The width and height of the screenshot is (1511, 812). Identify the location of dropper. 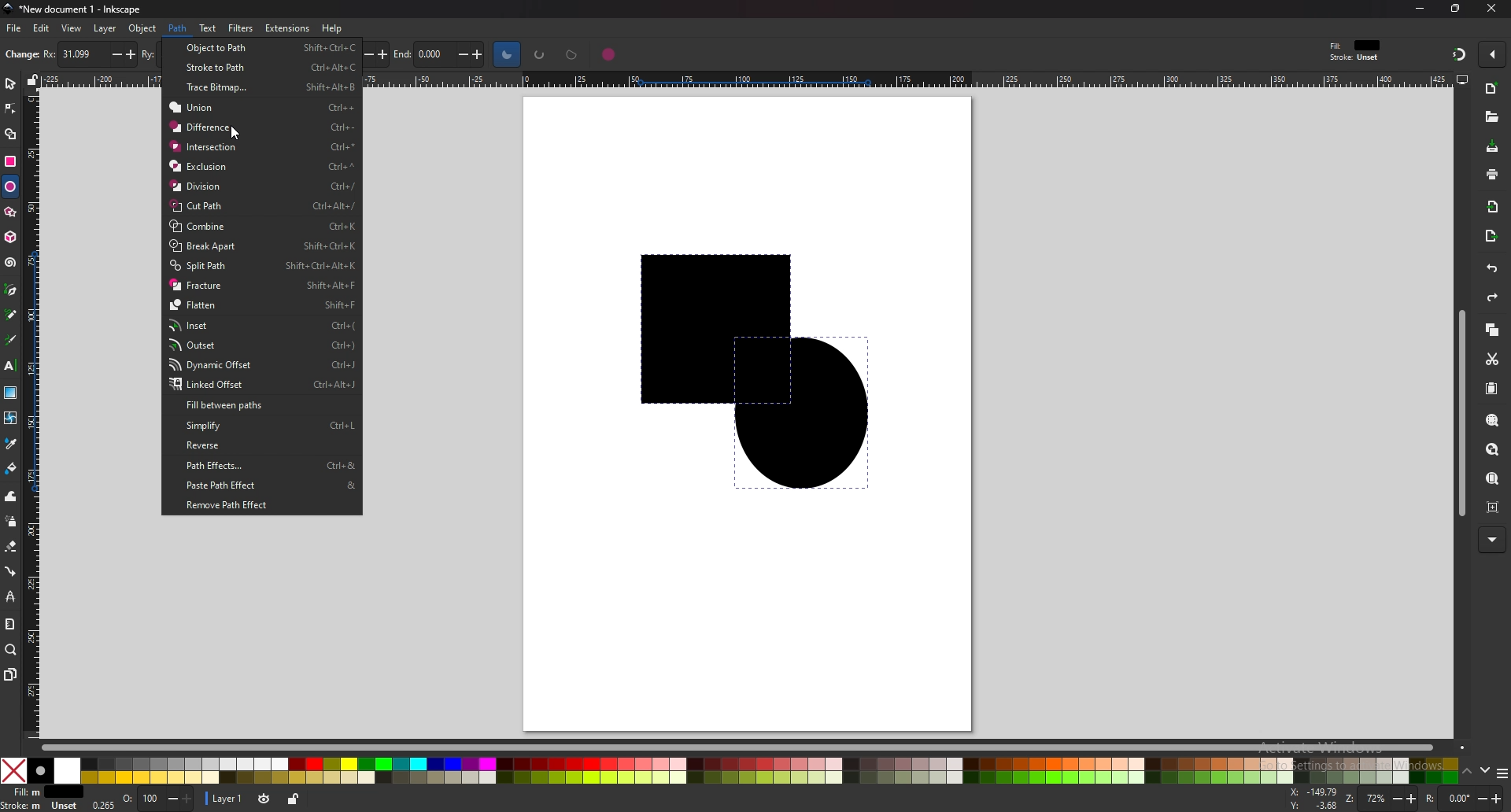
(12, 445).